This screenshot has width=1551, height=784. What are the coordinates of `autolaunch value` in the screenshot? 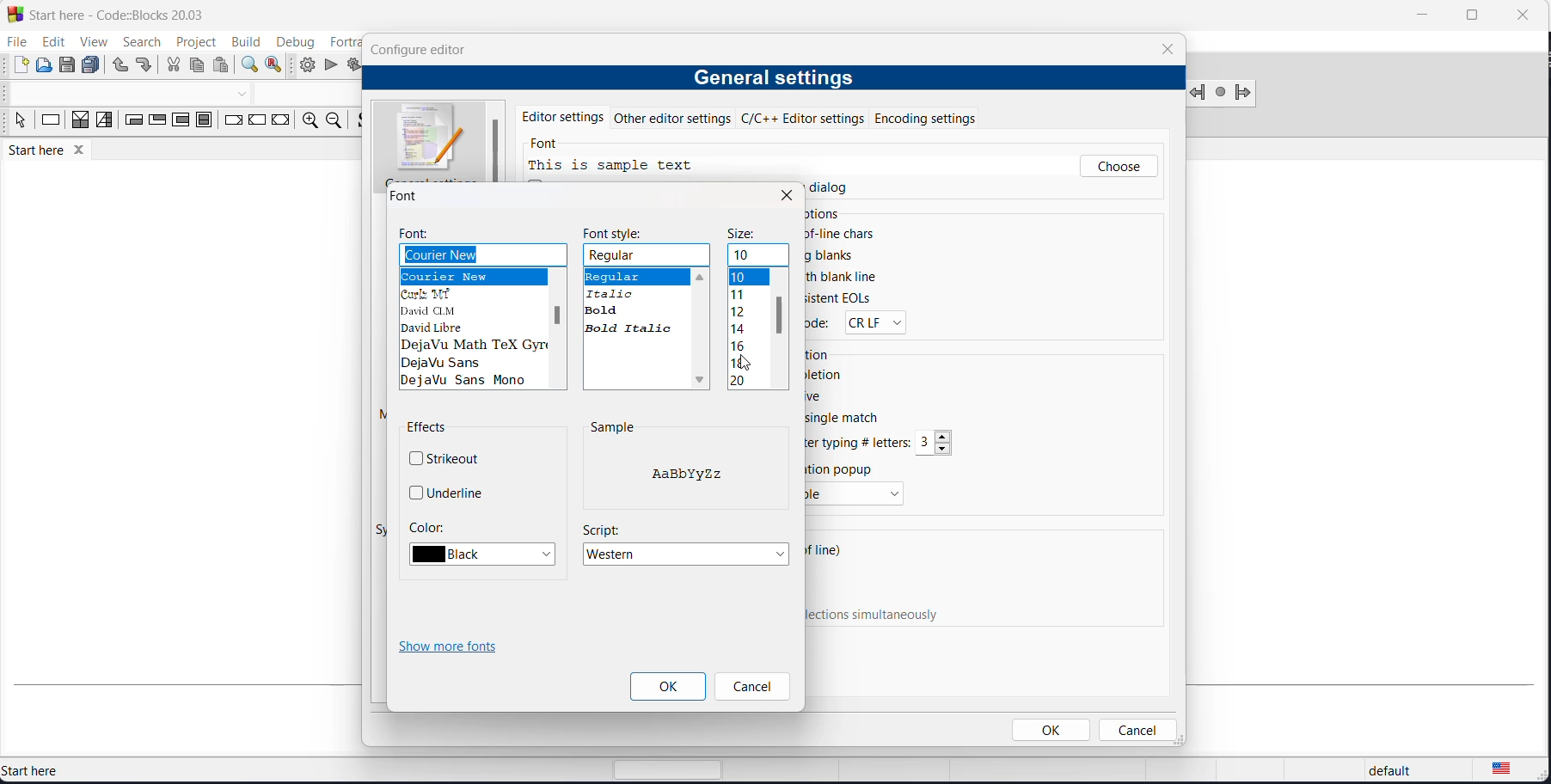 It's located at (926, 444).